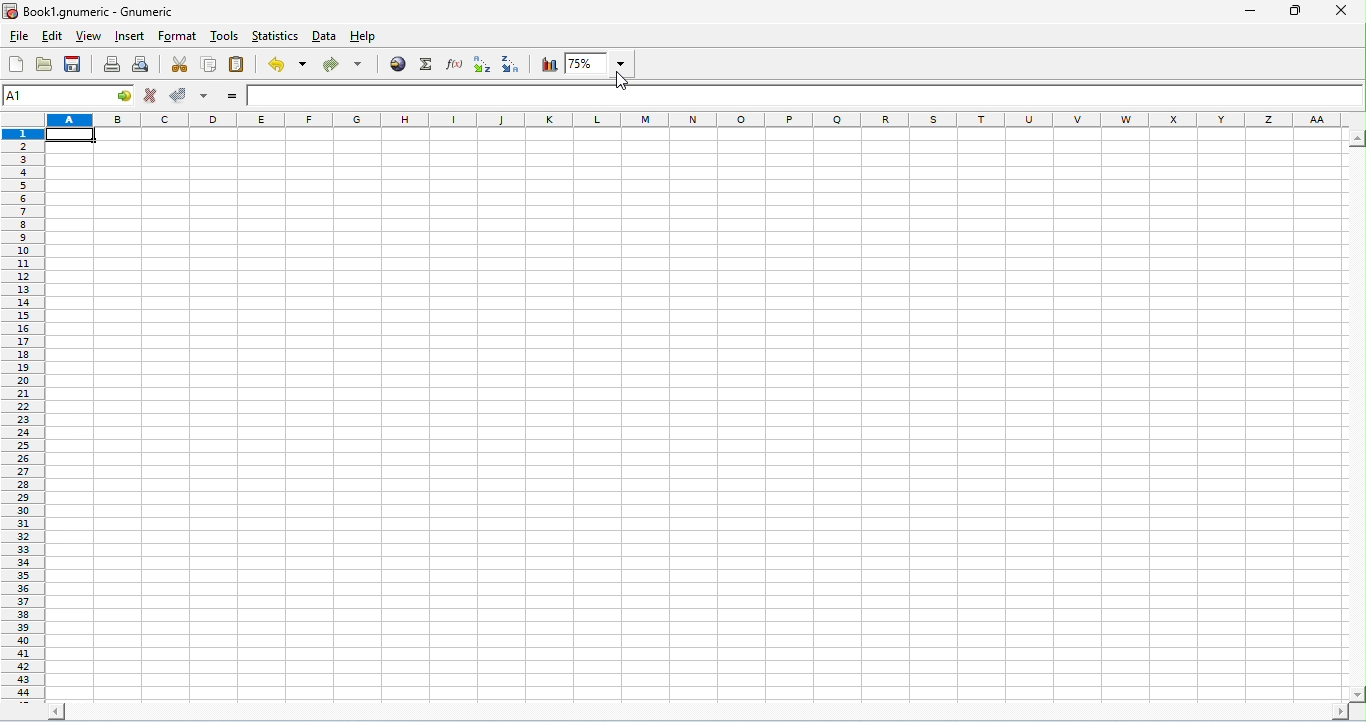 This screenshot has height=722, width=1366. Describe the element at coordinates (182, 64) in the screenshot. I see `cut` at that location.